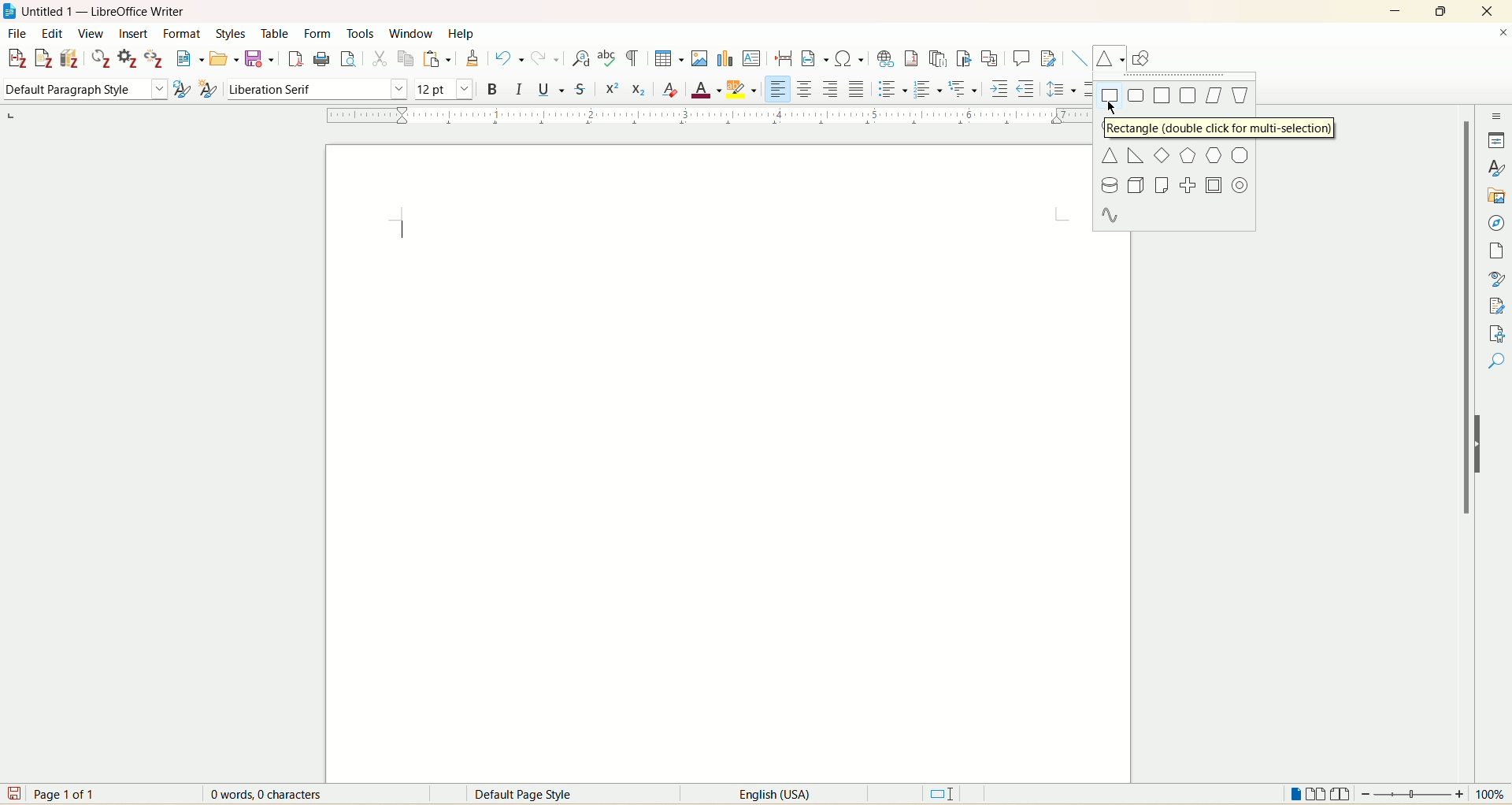  I want to click on set line spacing, so click(1062, 88).